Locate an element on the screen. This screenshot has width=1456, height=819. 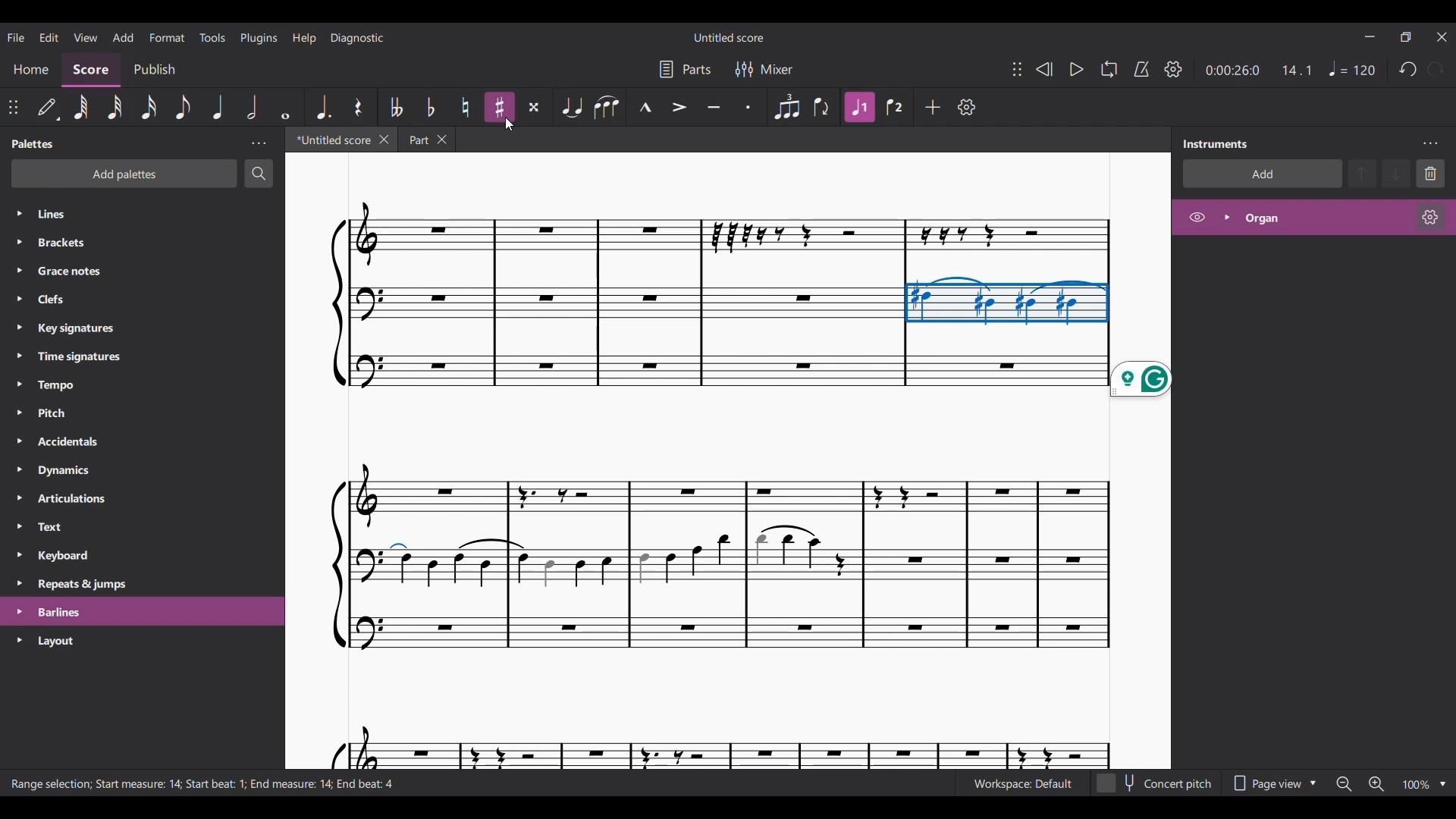
Play is located at coordinates (1078, 68).